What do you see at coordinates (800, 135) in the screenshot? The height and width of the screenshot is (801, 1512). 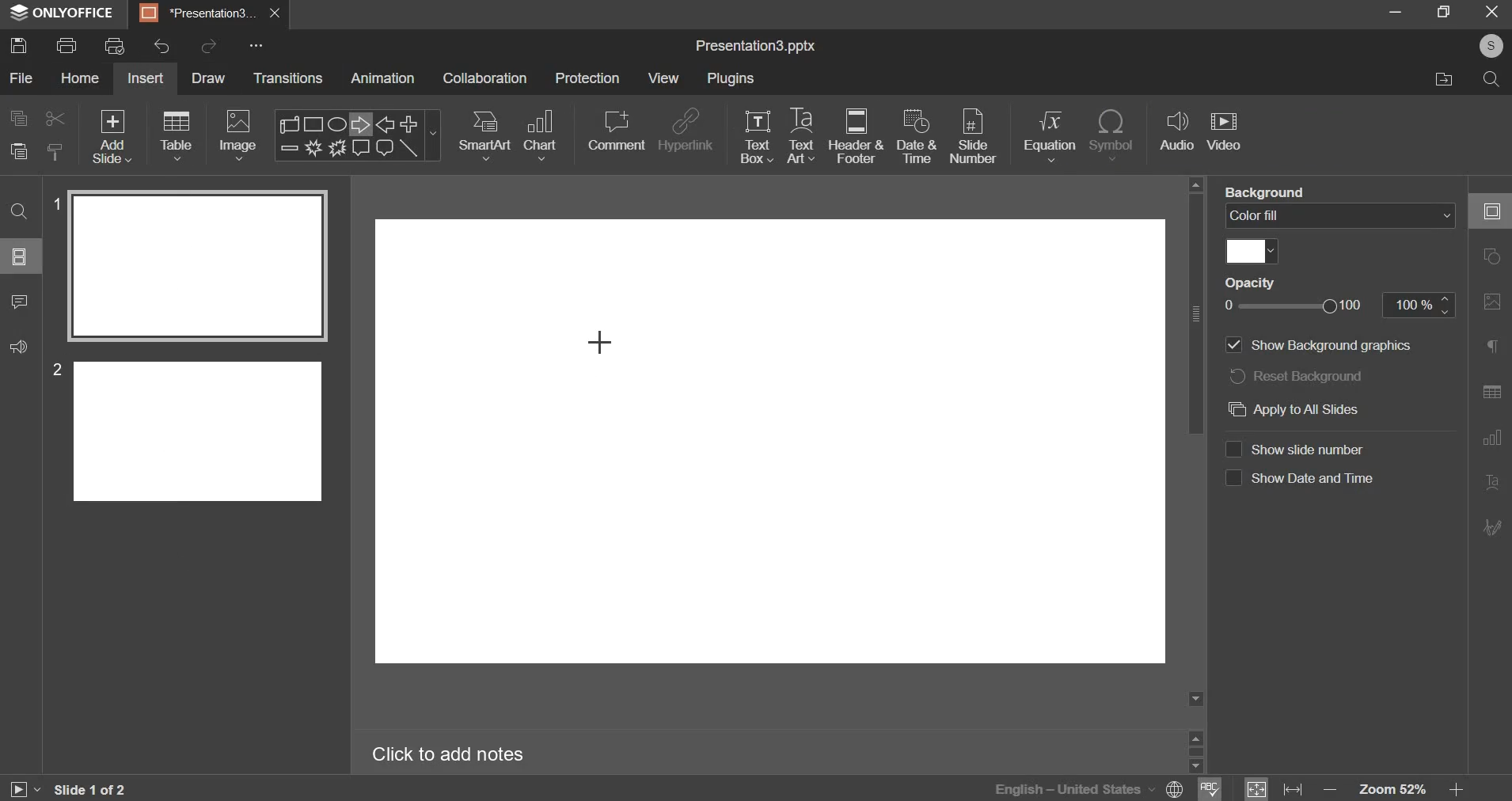 I see `text art` at bounding box center [800, 135].